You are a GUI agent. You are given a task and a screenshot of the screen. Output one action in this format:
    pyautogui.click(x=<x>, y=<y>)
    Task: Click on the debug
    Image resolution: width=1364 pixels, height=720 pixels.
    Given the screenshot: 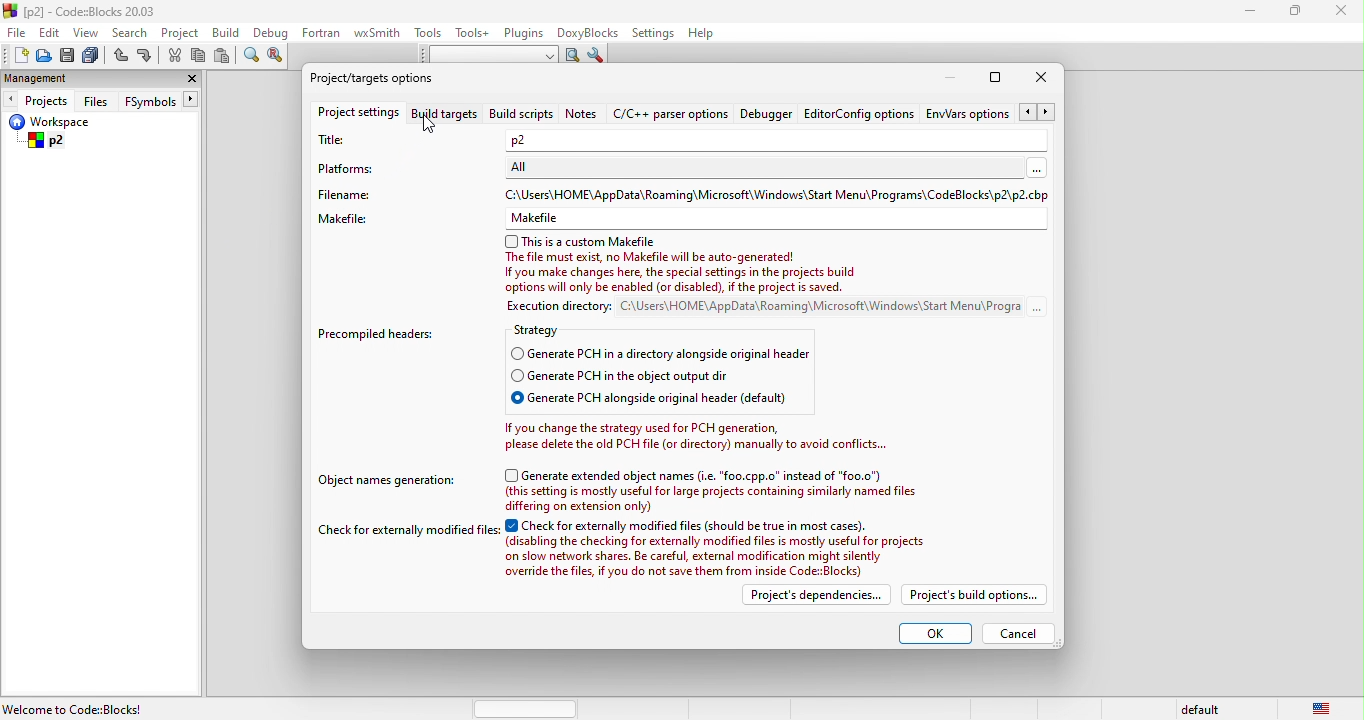 What is the action you would take?
    pyautogui.click(x=272, y=33)
    